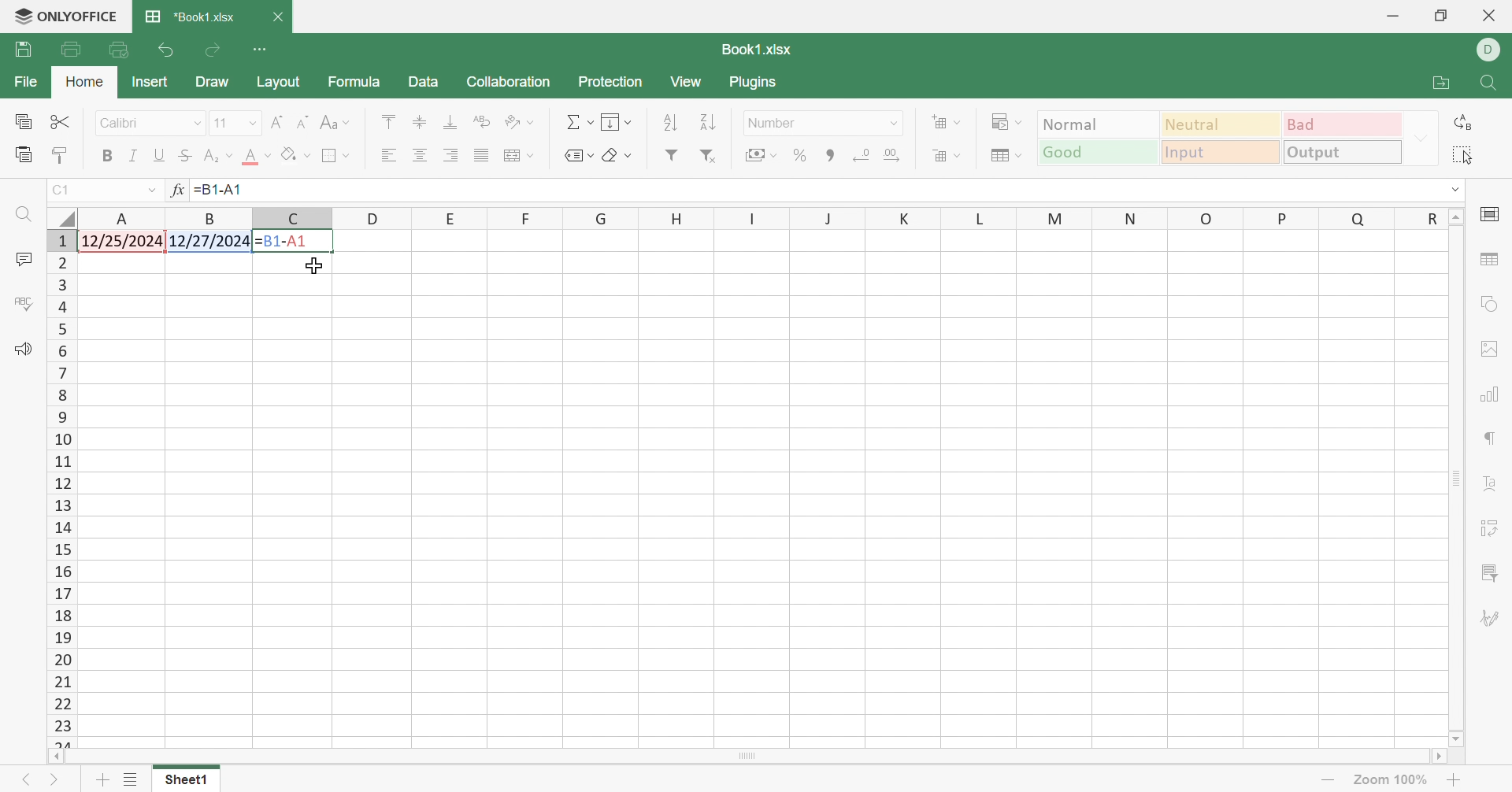 The width and height of the screenshot is (1512, 792). What do you see at coordinates (609, 83) in the screenshot?
I see `Protection` at bounding box center [609, 83].